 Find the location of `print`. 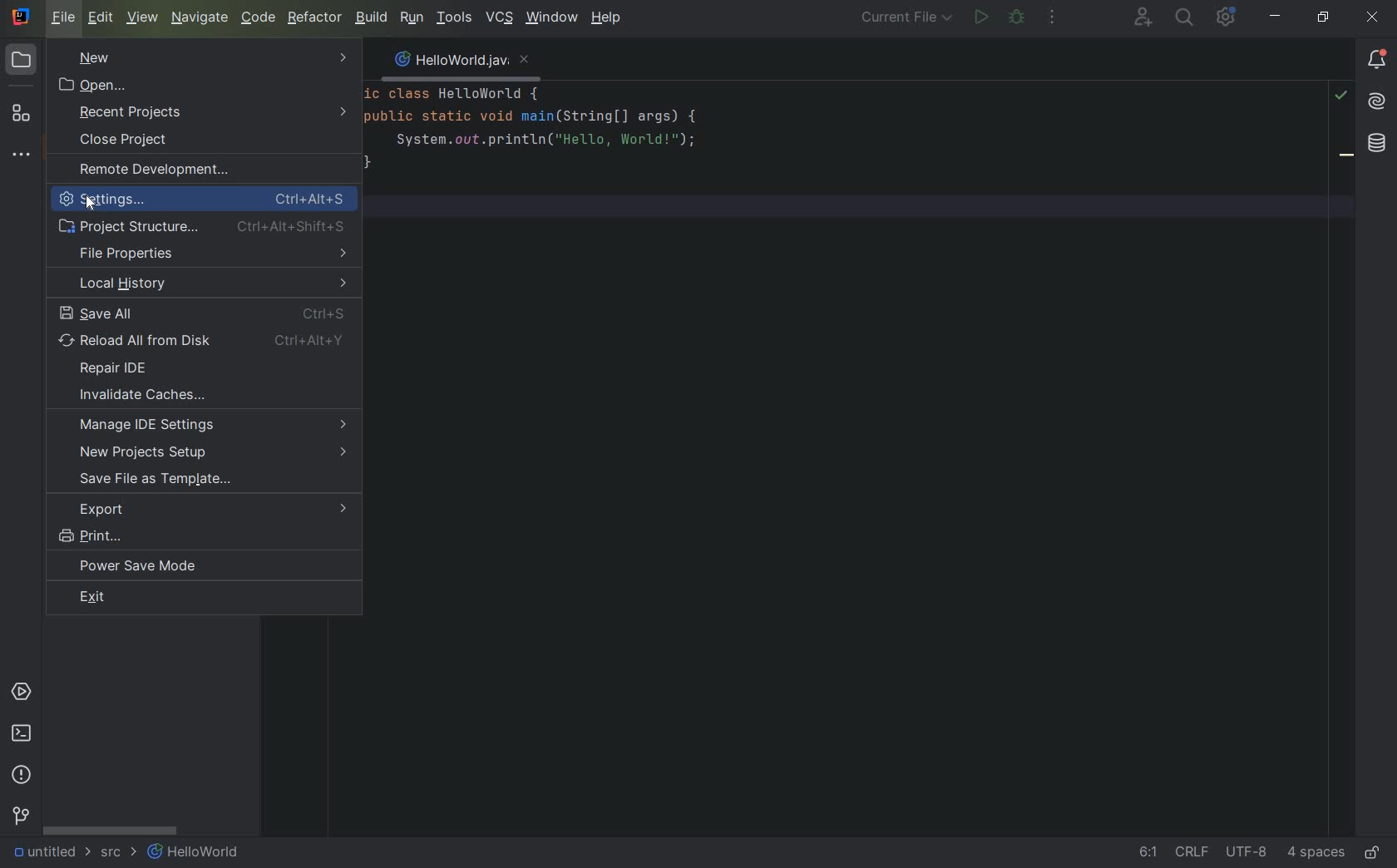

print is located at coordinates (205, 536).